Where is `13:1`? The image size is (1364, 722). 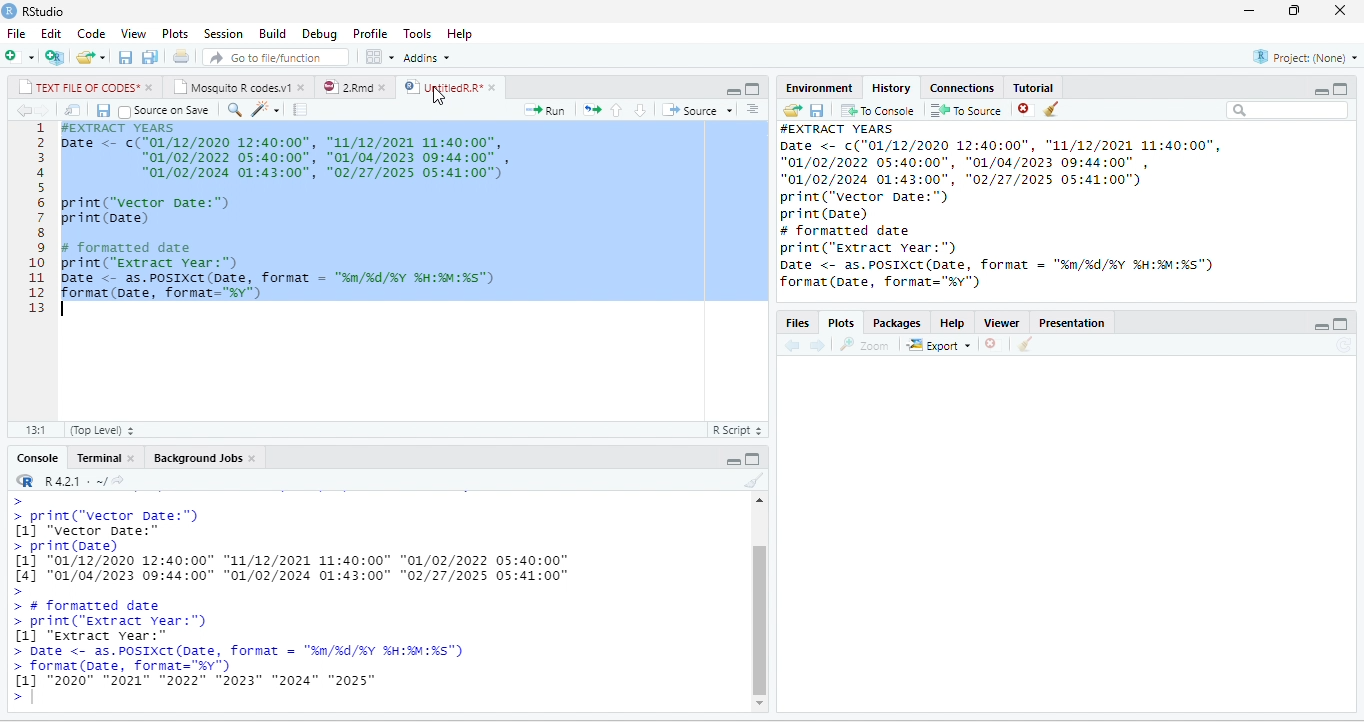 13:1 is located at coordinates (35, 430).